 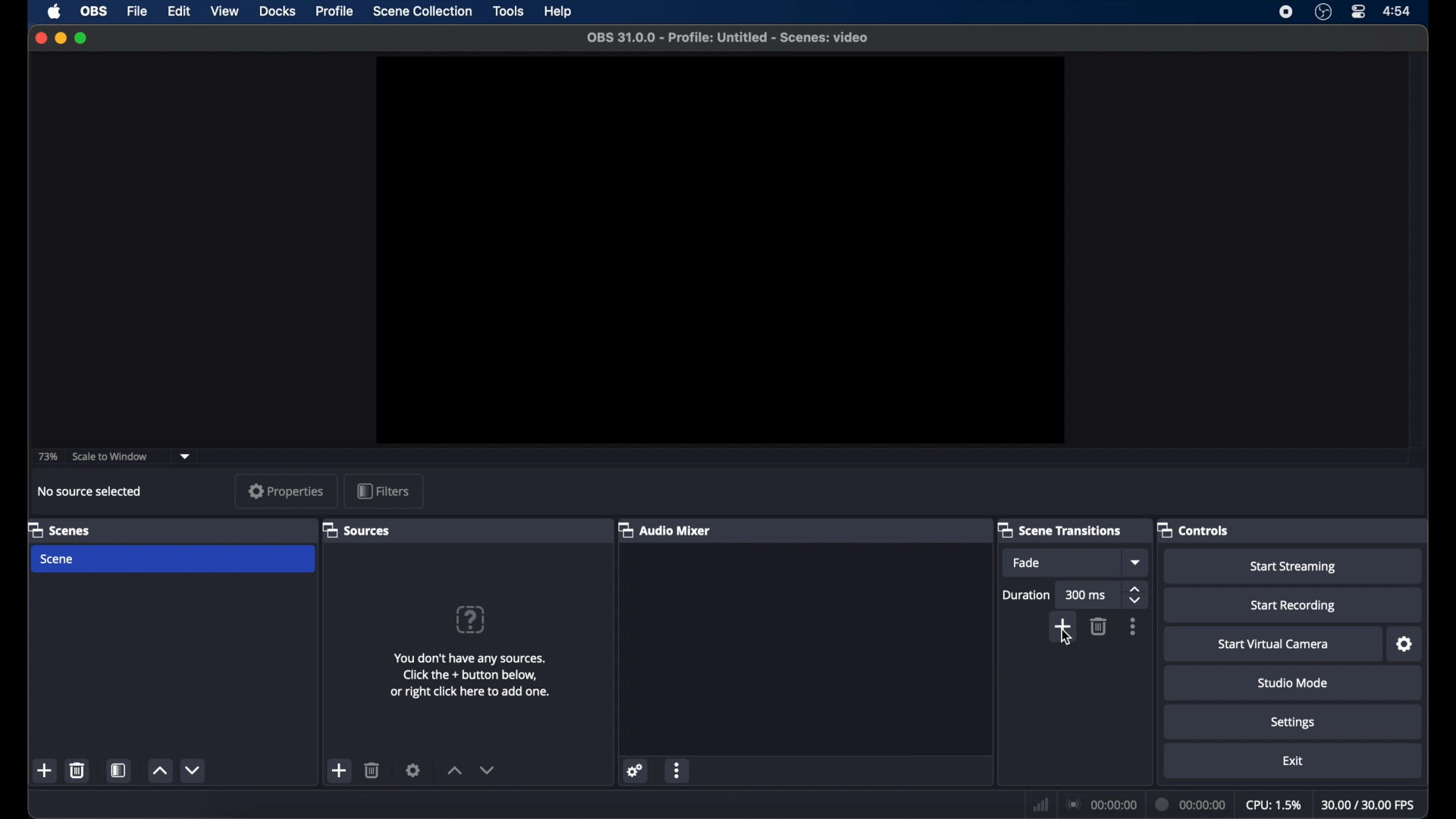 What do you see at coordinates (728, 38) in the screenshot?
I see `file name` at bounding box center [728, 38].